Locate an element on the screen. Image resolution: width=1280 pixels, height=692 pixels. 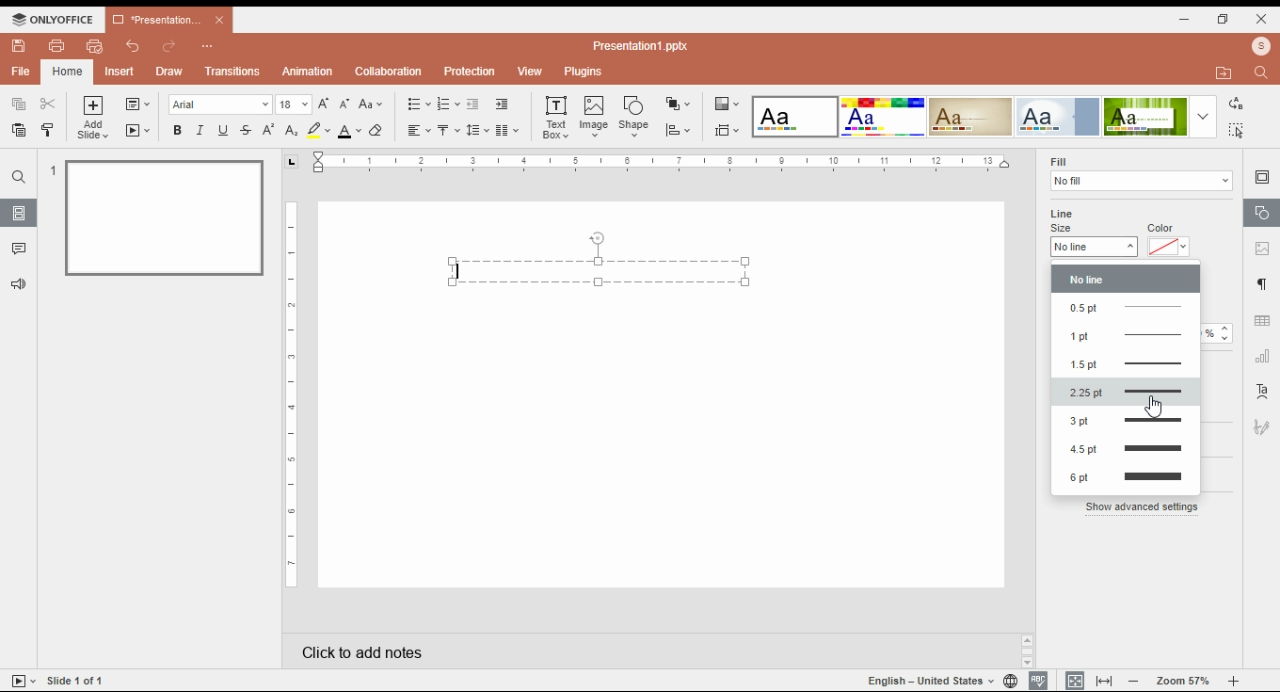
horizontal alignment is located at coordinates (417, 131).